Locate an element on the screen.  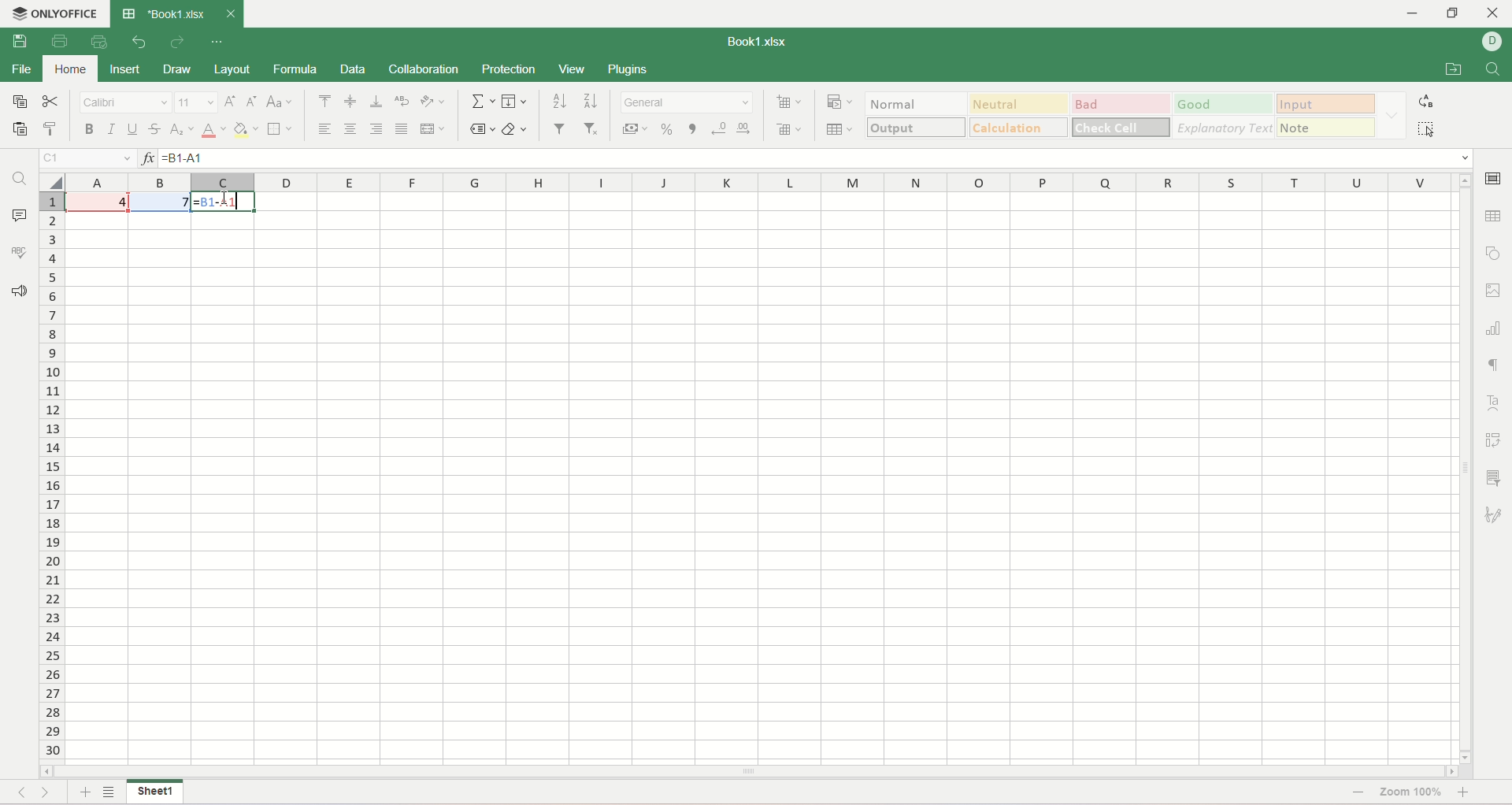
spell check is located at coordinates (18, 252).